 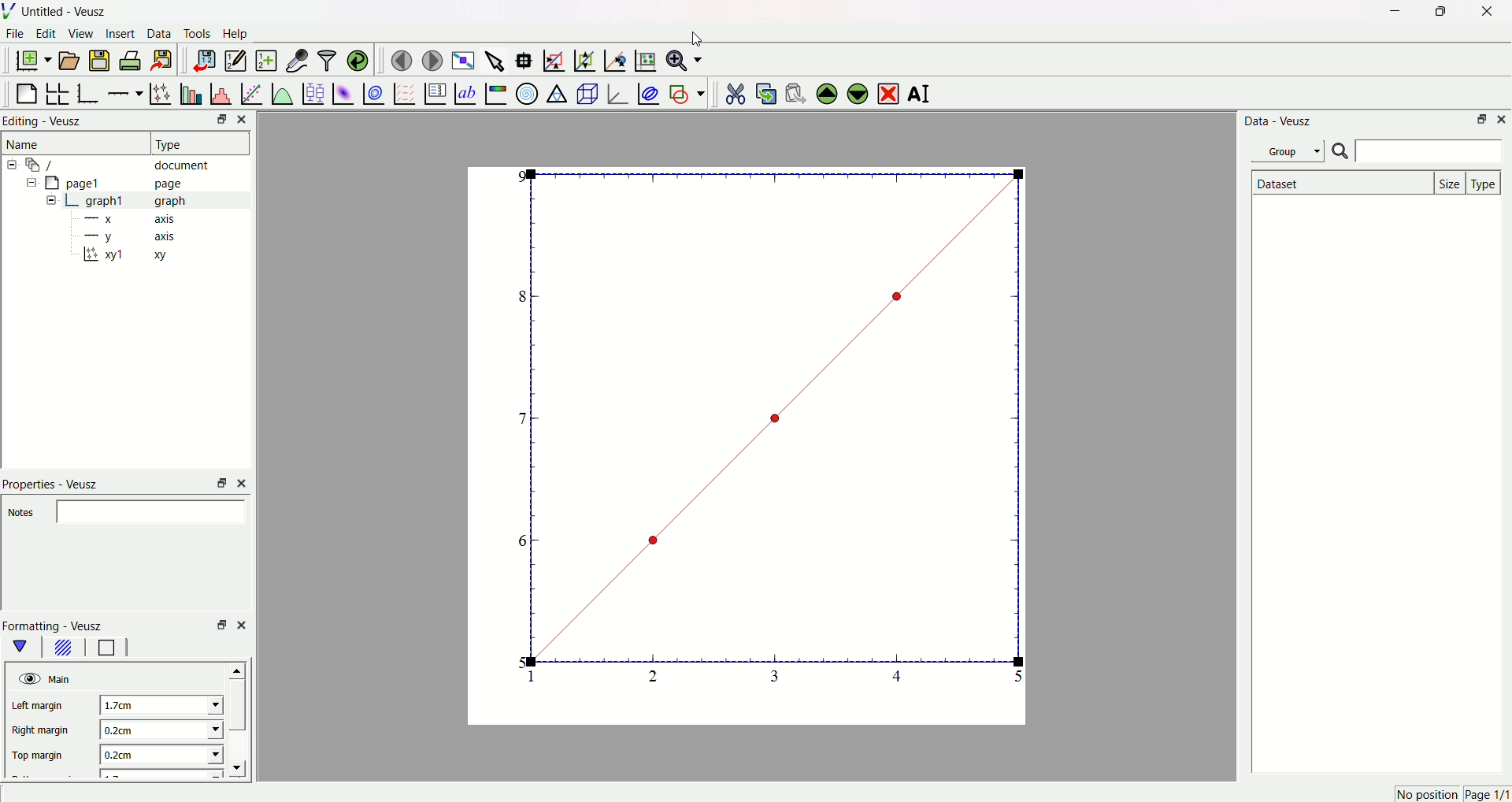 I want to click on Close, so click(x=1503, y=120).